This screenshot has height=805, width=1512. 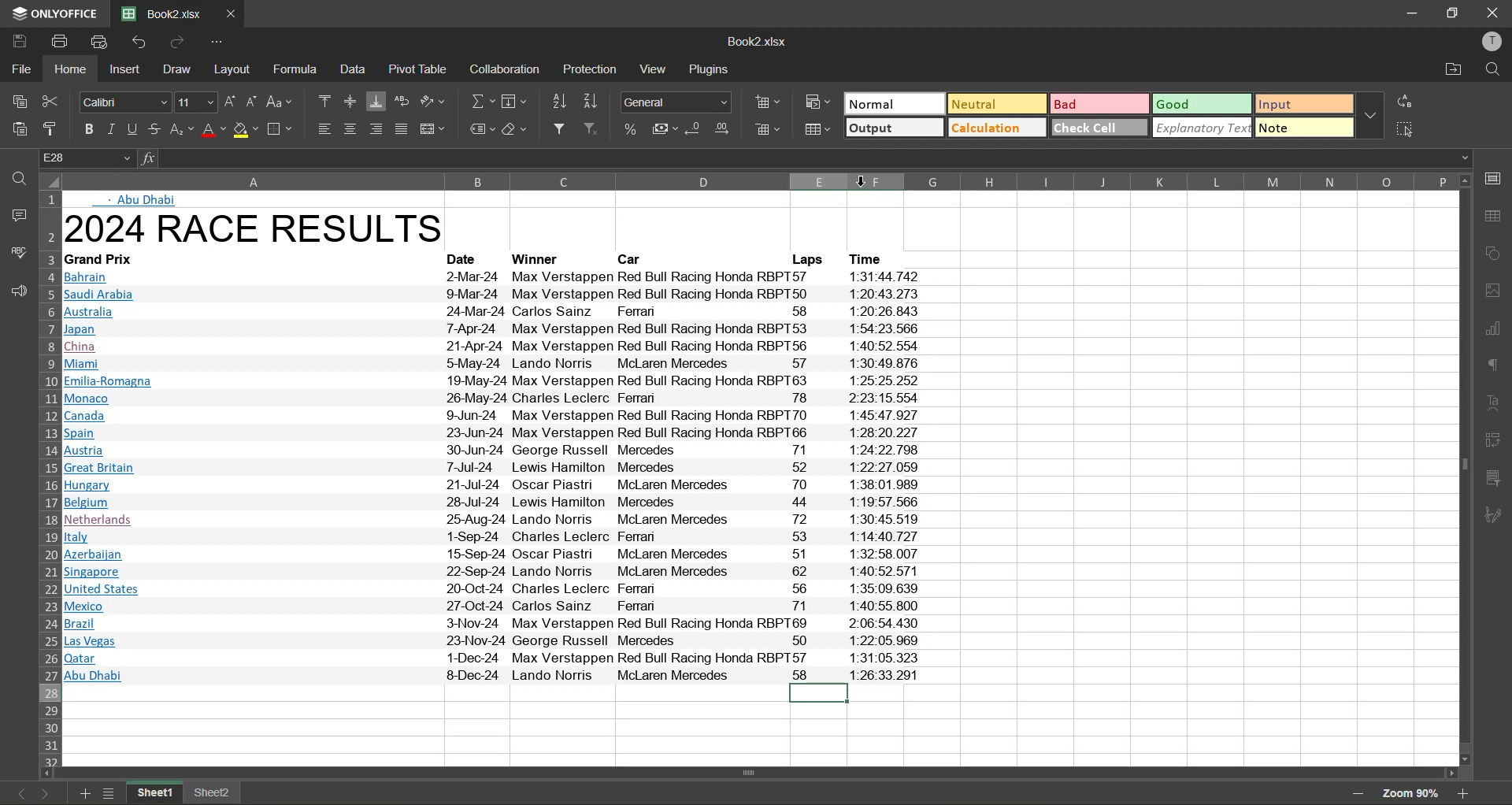 What do you see at coordinates (351, 69) in the screenshot?
I see `data` at bounding box center [351, 69].